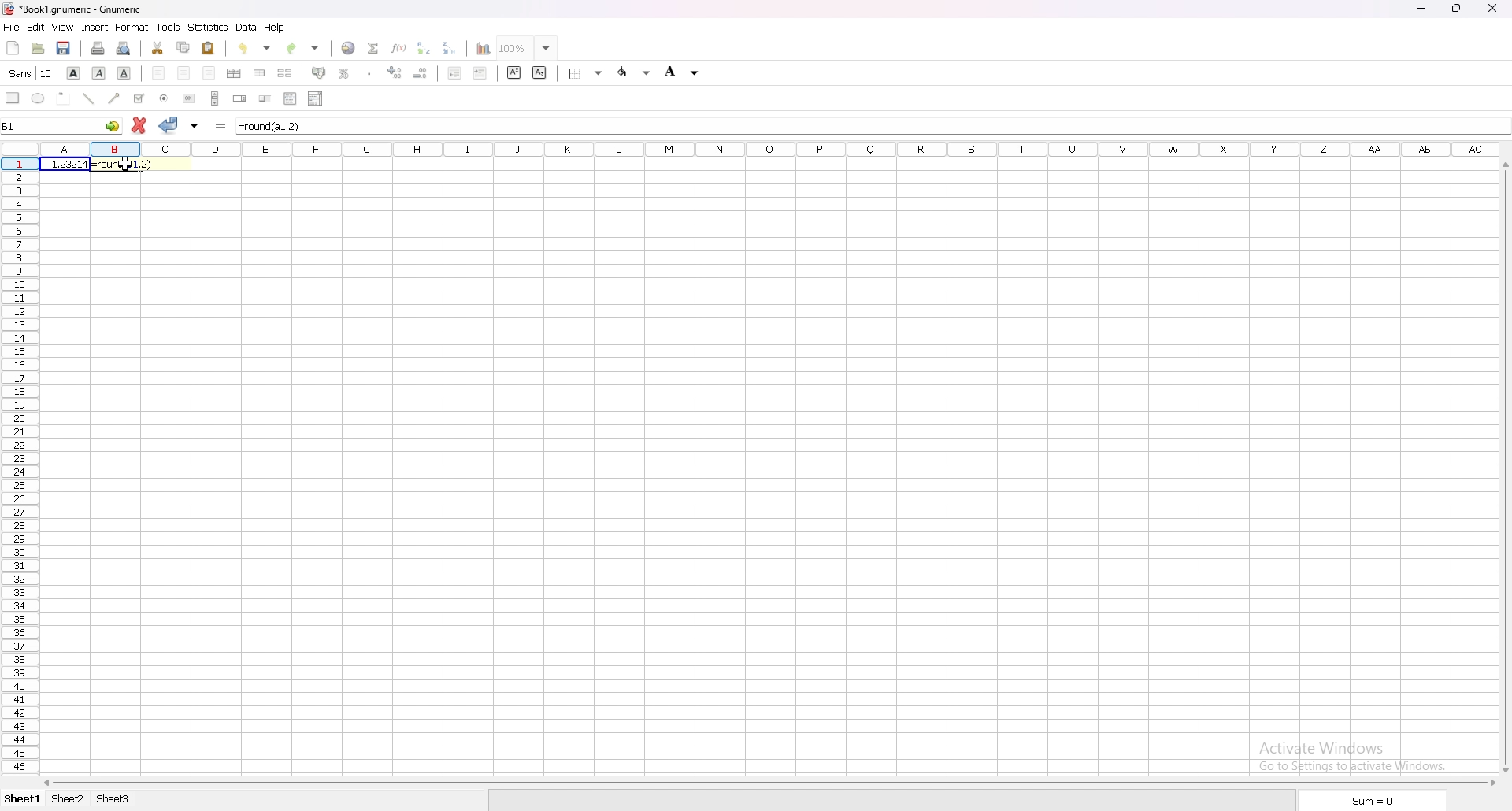  I want to click on paste, so click(209, 48).